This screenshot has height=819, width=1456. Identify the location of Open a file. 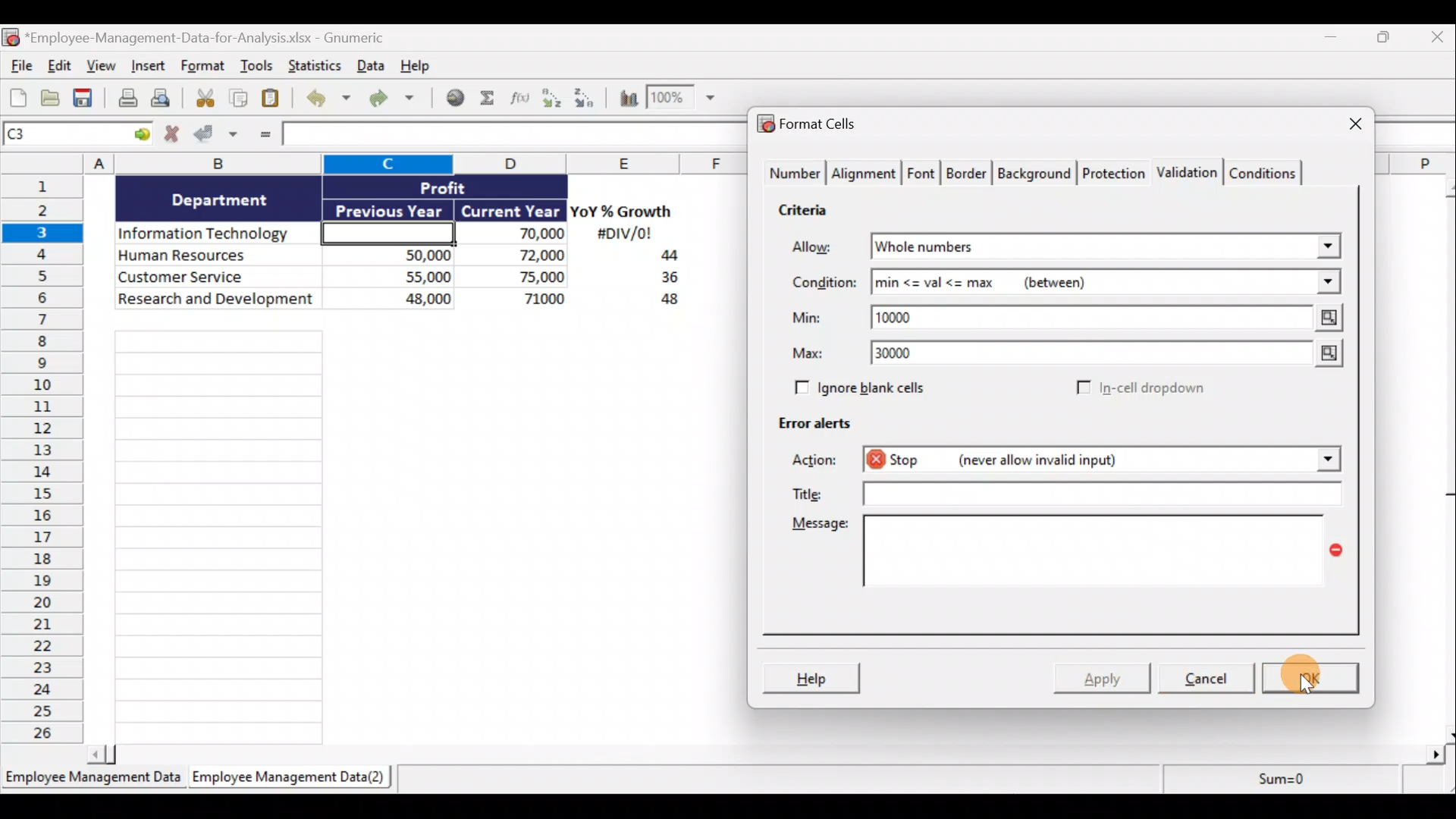
(51, 99).